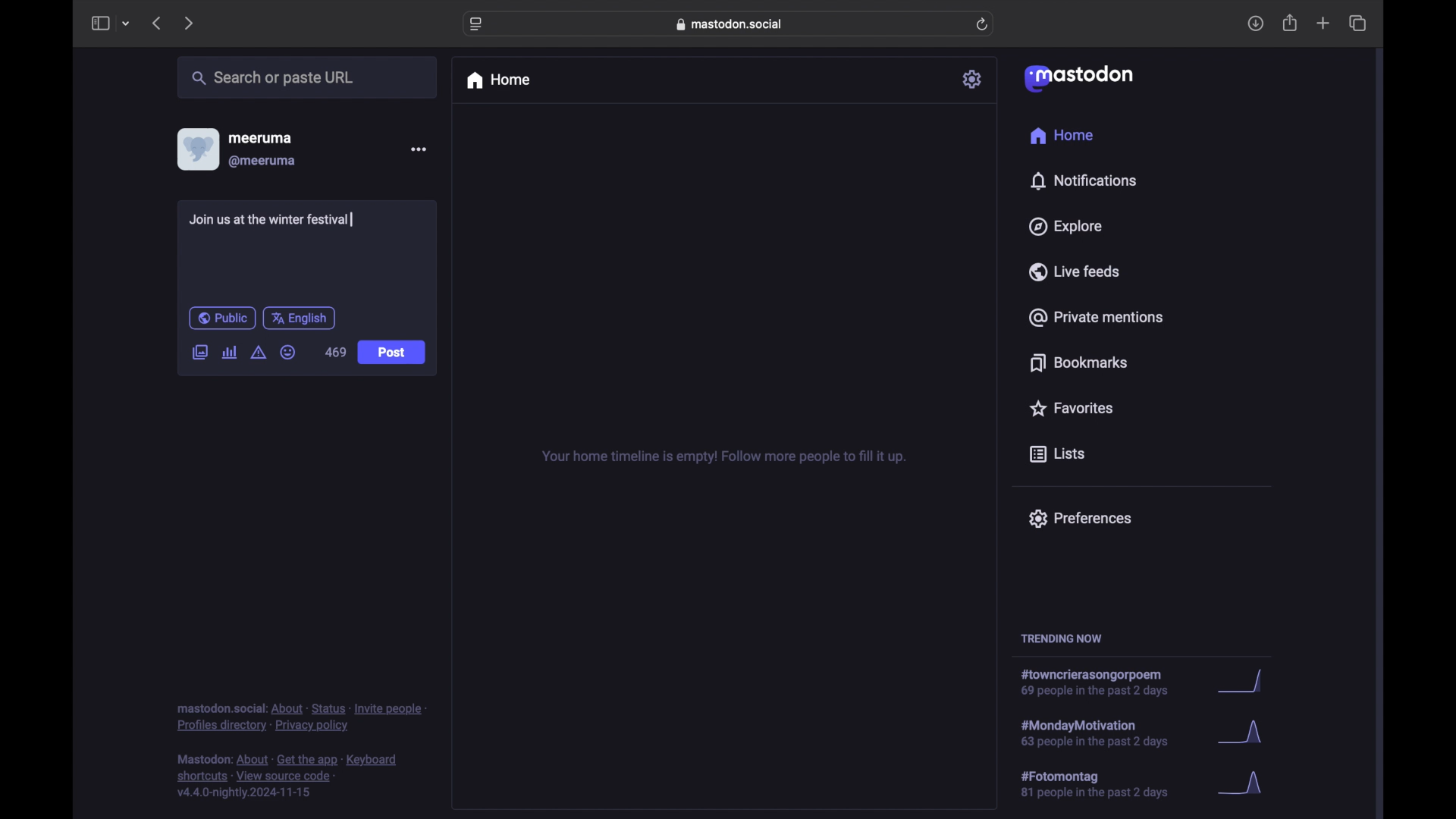 The image size is (1456, 819). I want to click on search or paste url, so click(272, 78).